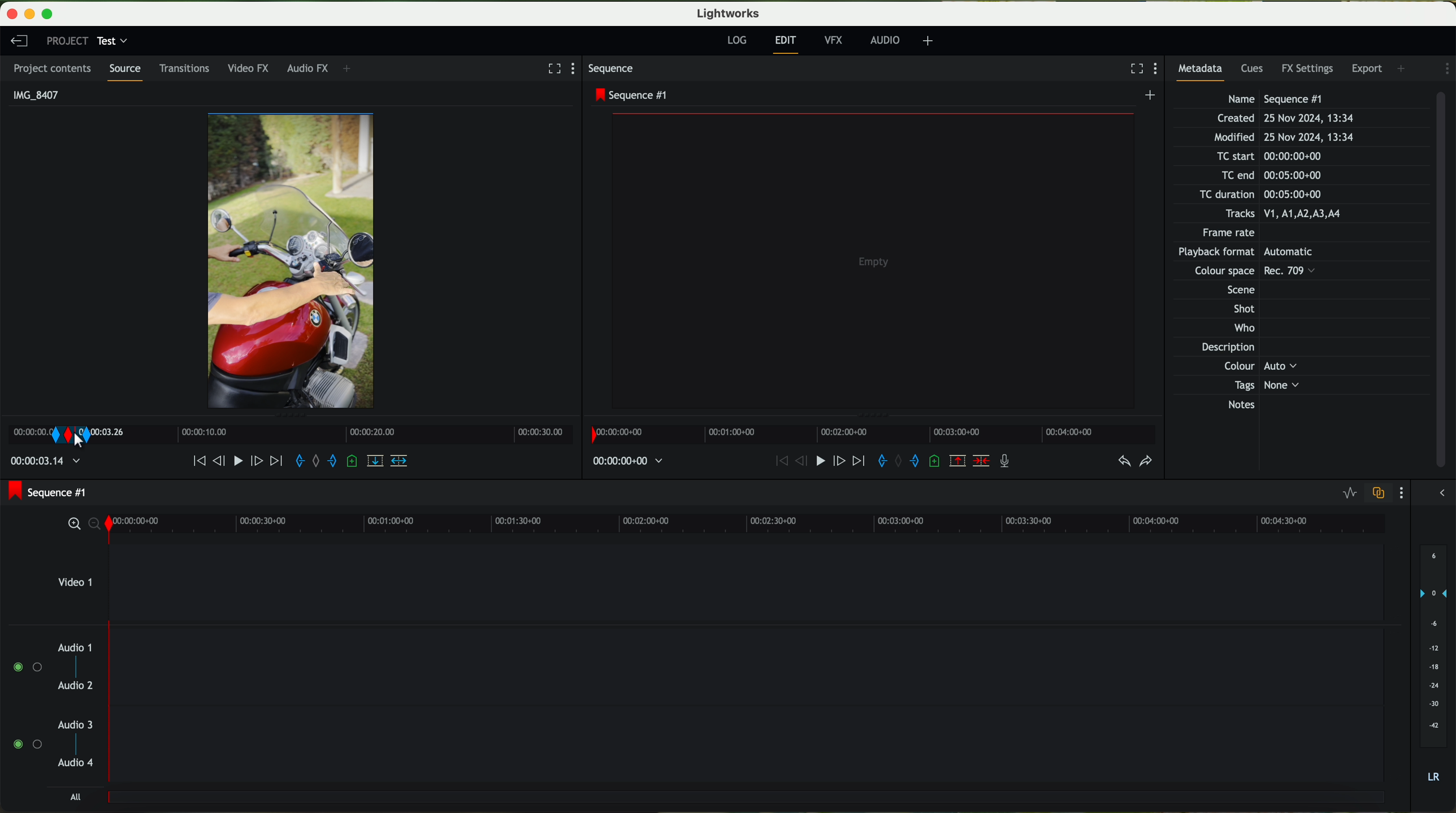 The image size is (1456, 813). What do you see at coordinates (1281, 214) in the screenshot?
I see `Tracks` at bounding box center [1281, 214].